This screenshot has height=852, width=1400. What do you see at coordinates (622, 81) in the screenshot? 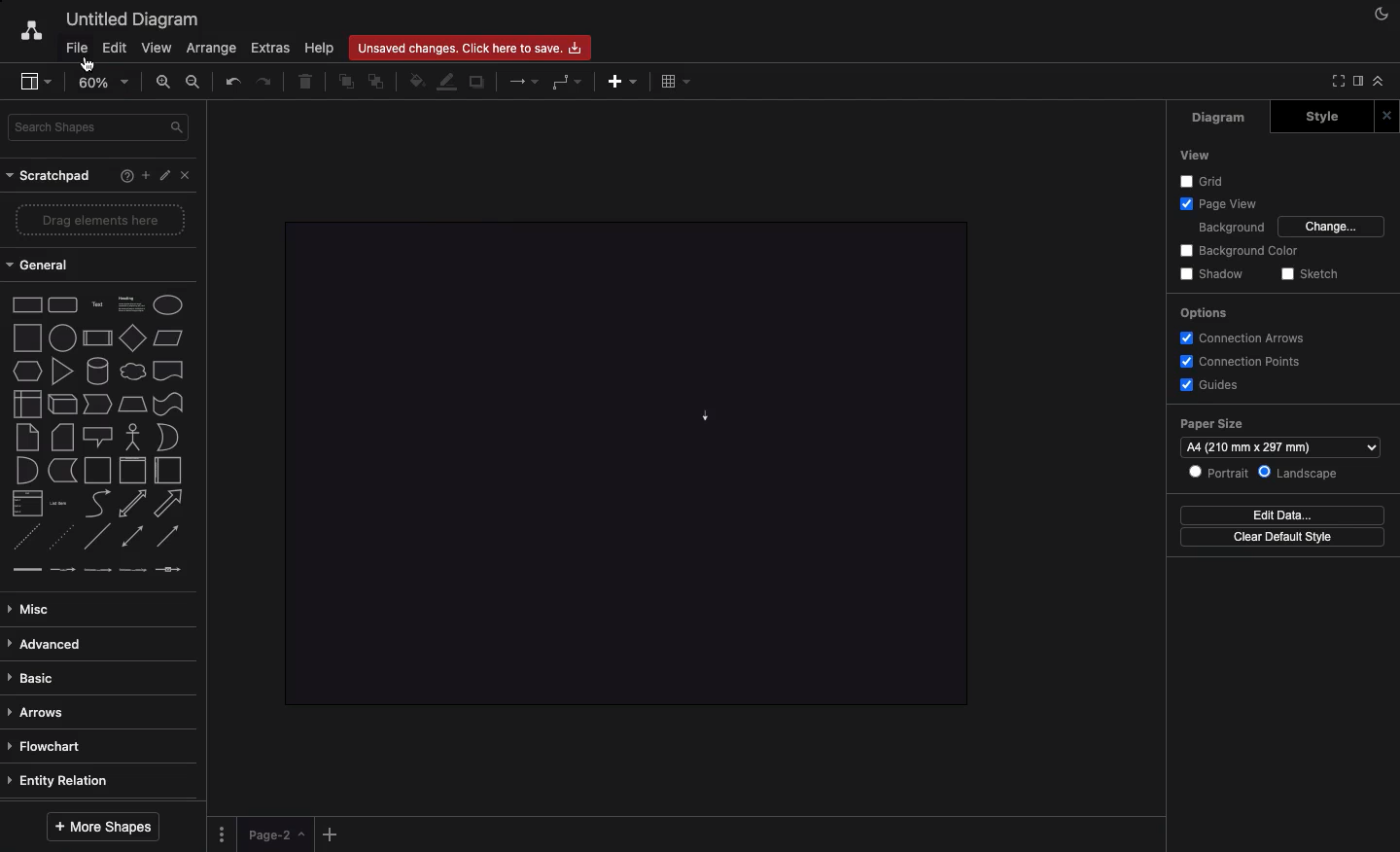
I see `Add` at bounding box center [622, 81].